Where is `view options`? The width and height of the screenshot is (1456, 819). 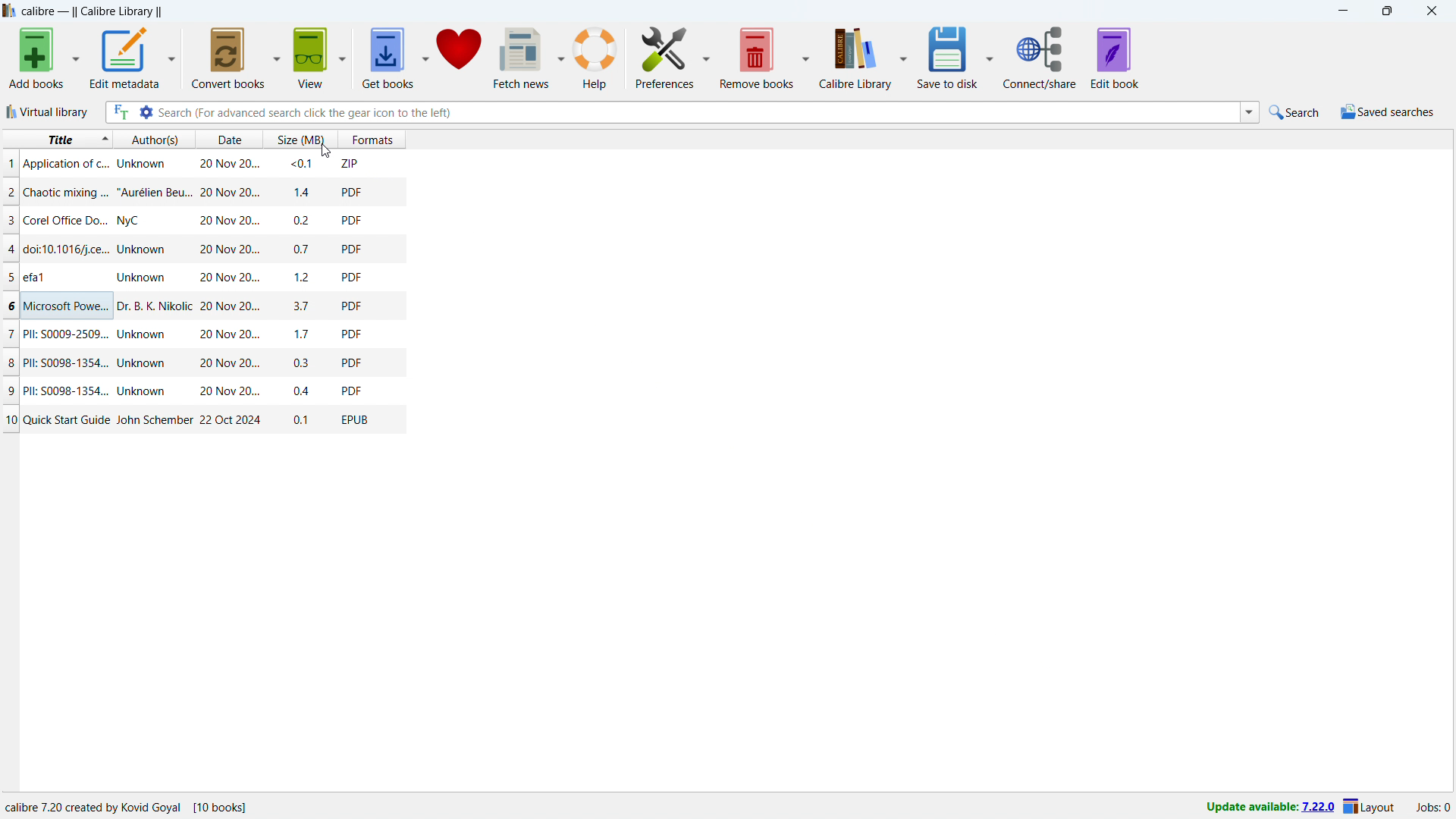 view options is located at coordinates (343, 57).